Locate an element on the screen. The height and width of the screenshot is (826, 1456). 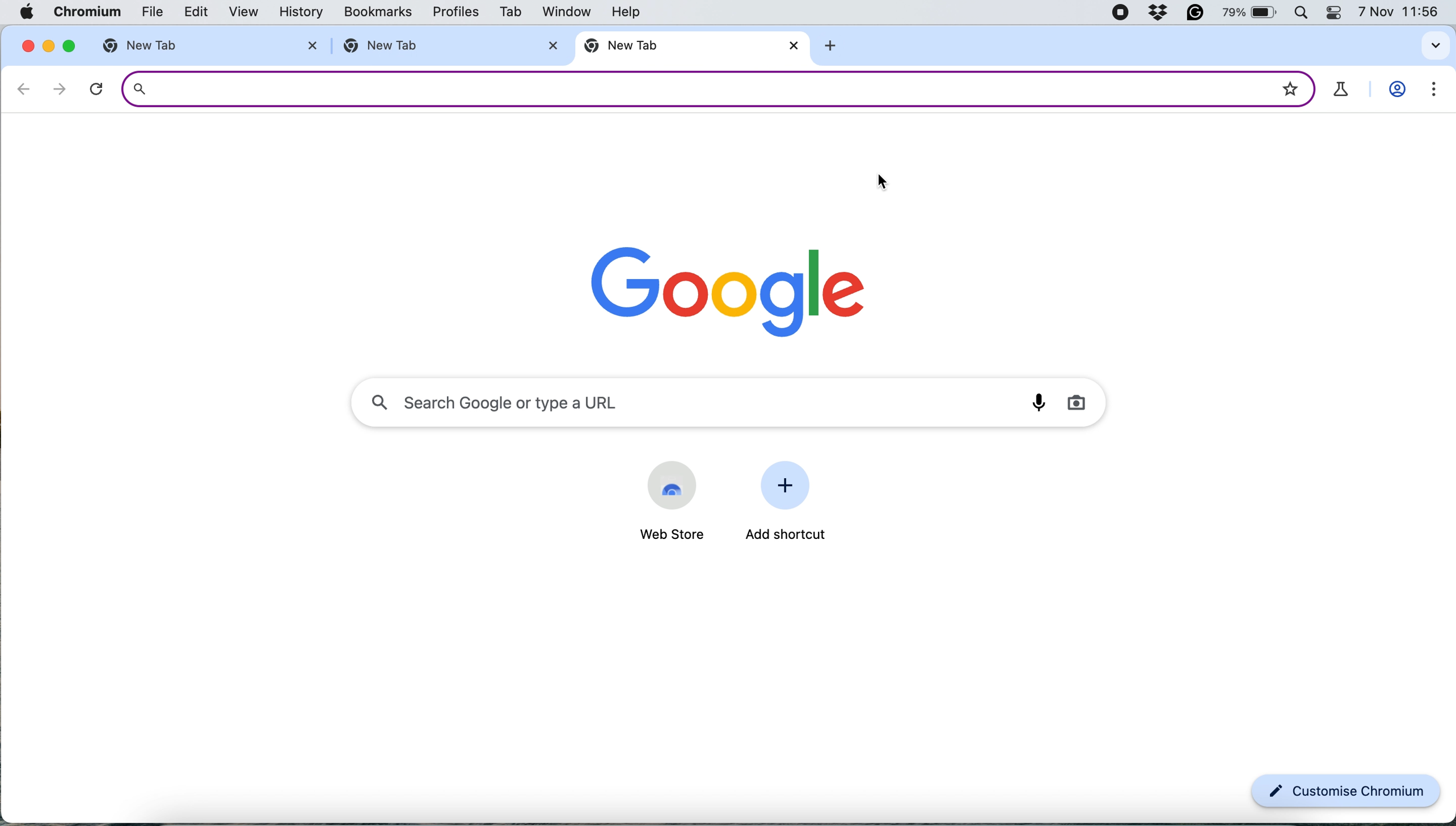
add shortcut is located at coordinates (788, 536).